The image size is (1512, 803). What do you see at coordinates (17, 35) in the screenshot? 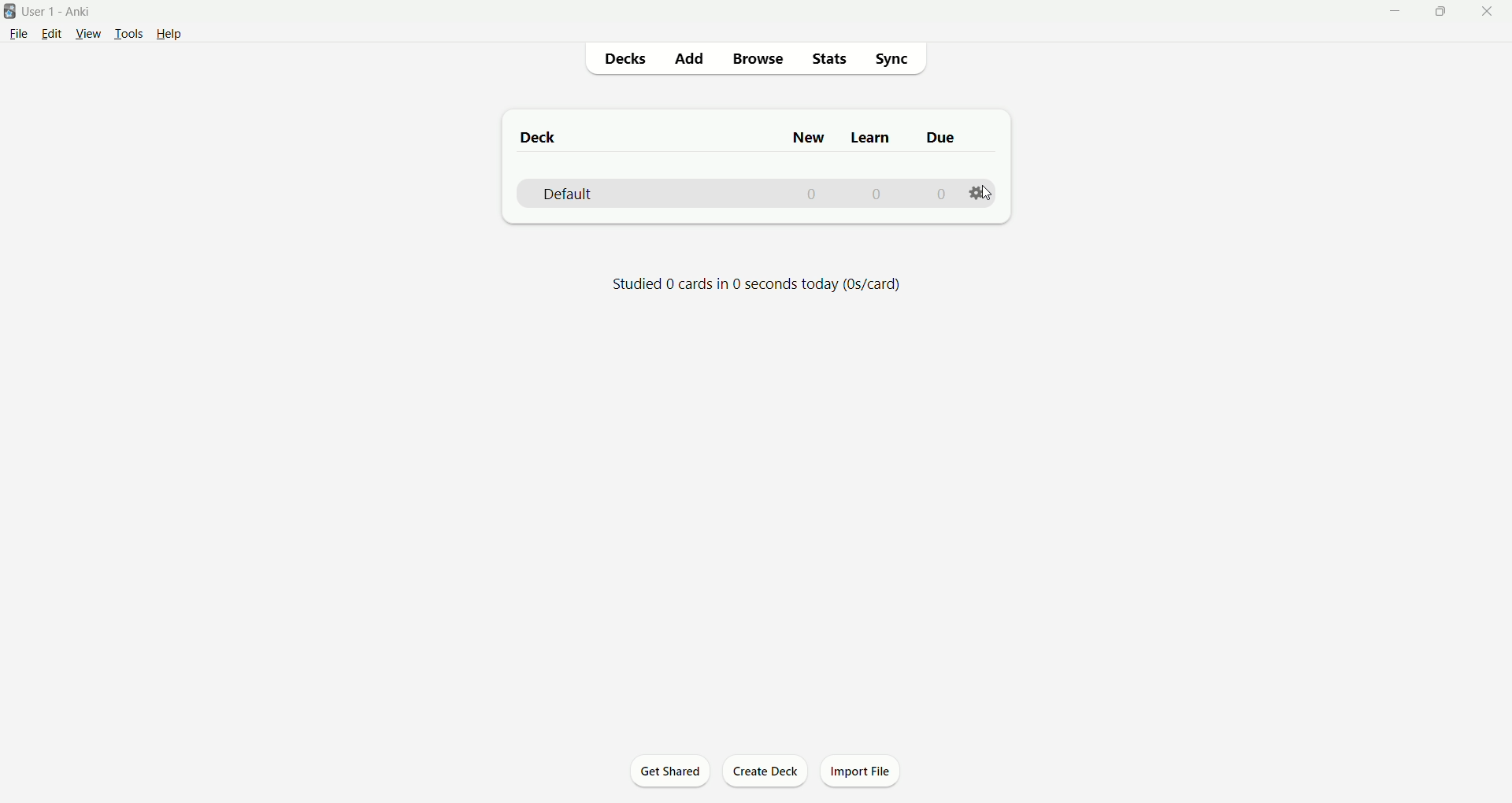
I see `file` at bounding box center [17, 35].